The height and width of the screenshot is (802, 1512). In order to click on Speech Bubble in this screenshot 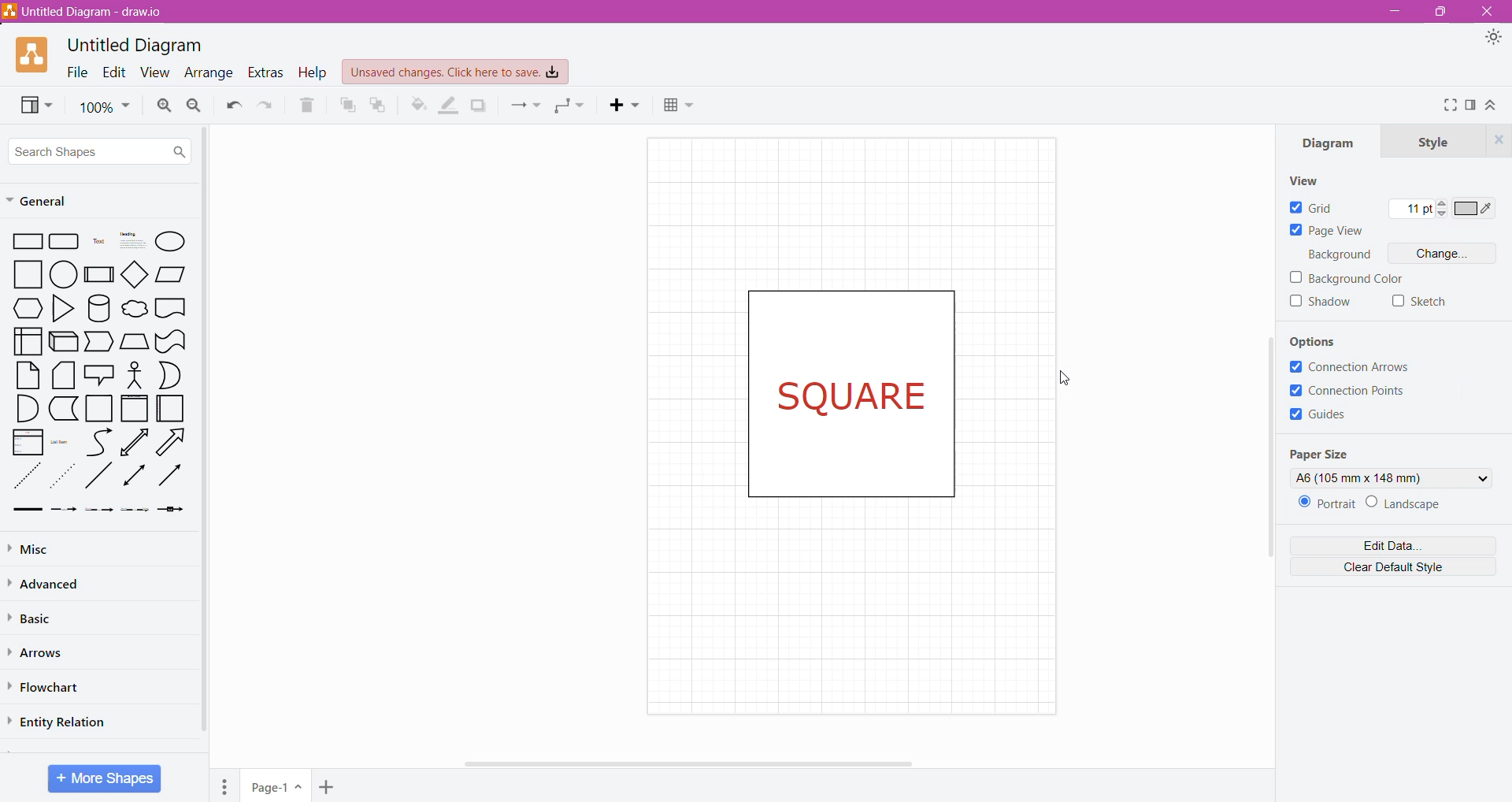, I will do `click(101, 373)`.